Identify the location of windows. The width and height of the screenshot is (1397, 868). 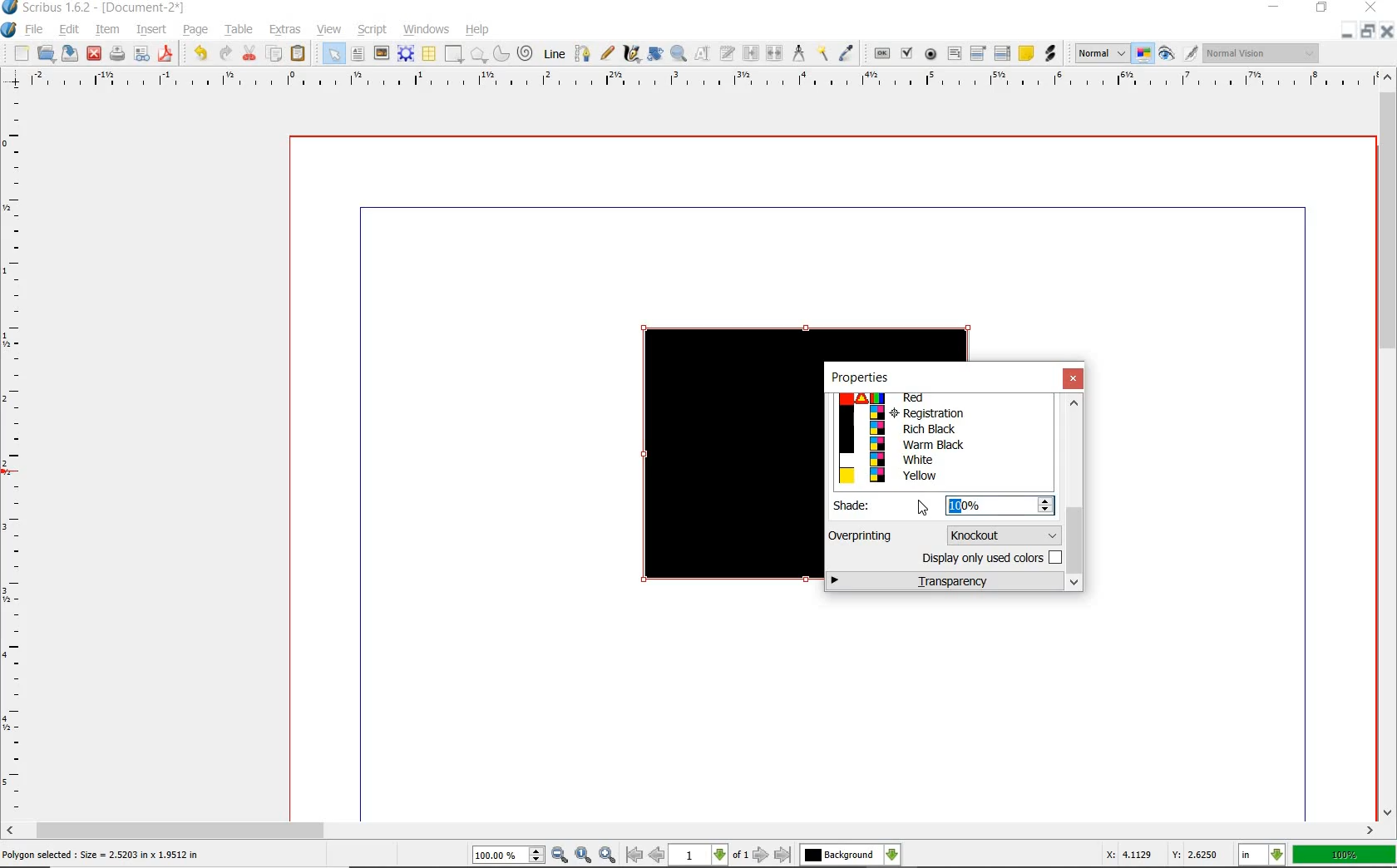
(423, 29).